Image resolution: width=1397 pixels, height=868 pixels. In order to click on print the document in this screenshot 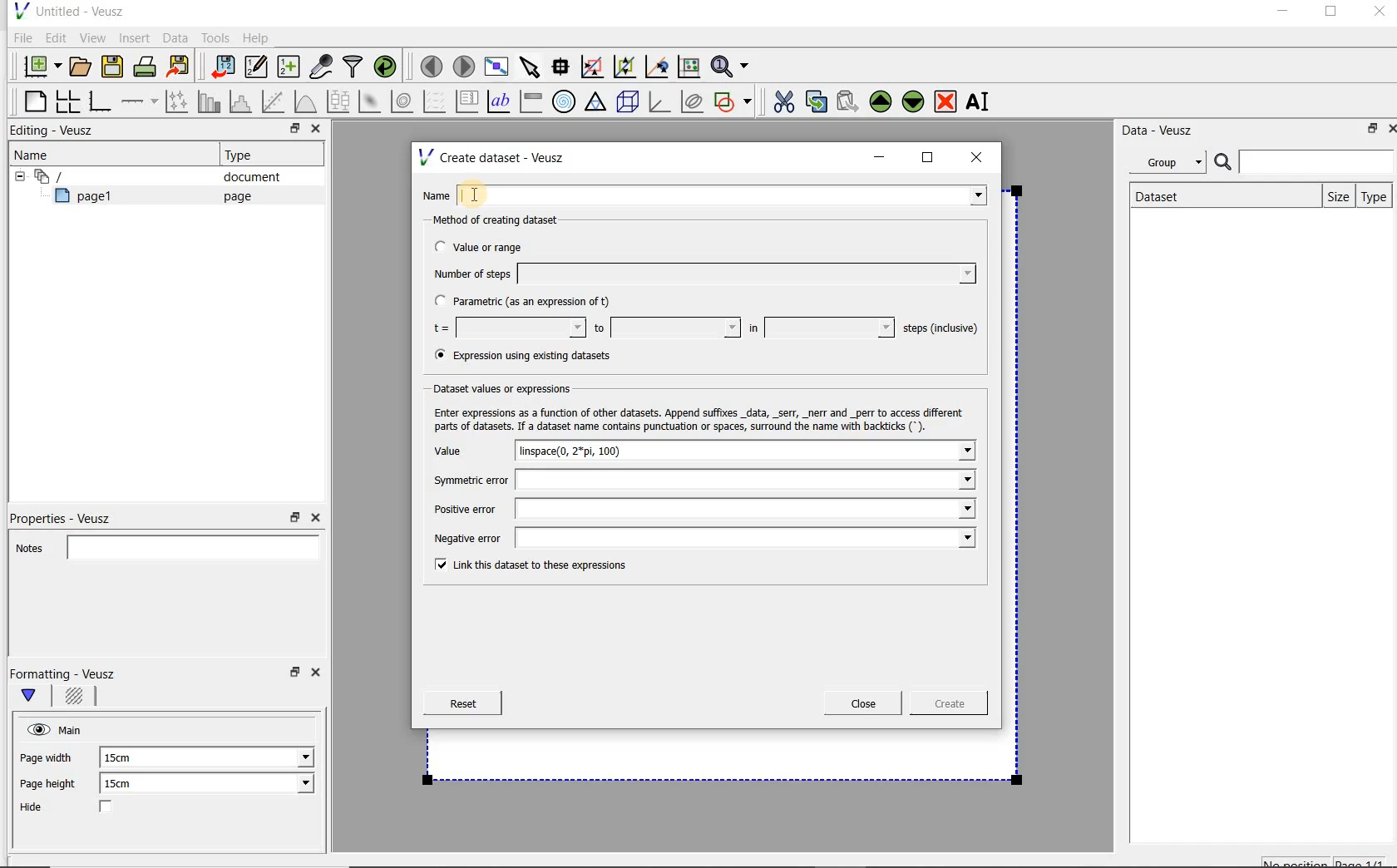, I will do `click(148, 66)`.